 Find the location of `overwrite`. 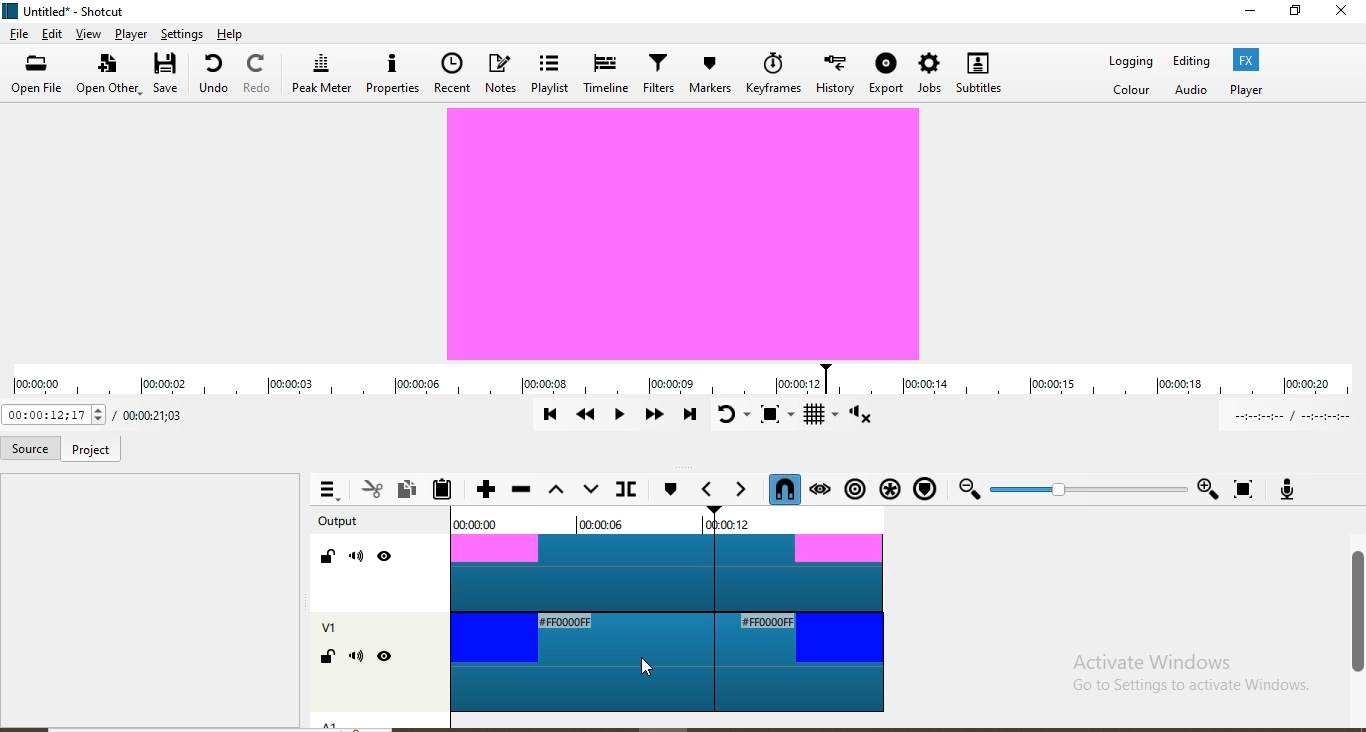

overwrite is located at coordinates (594, 488).